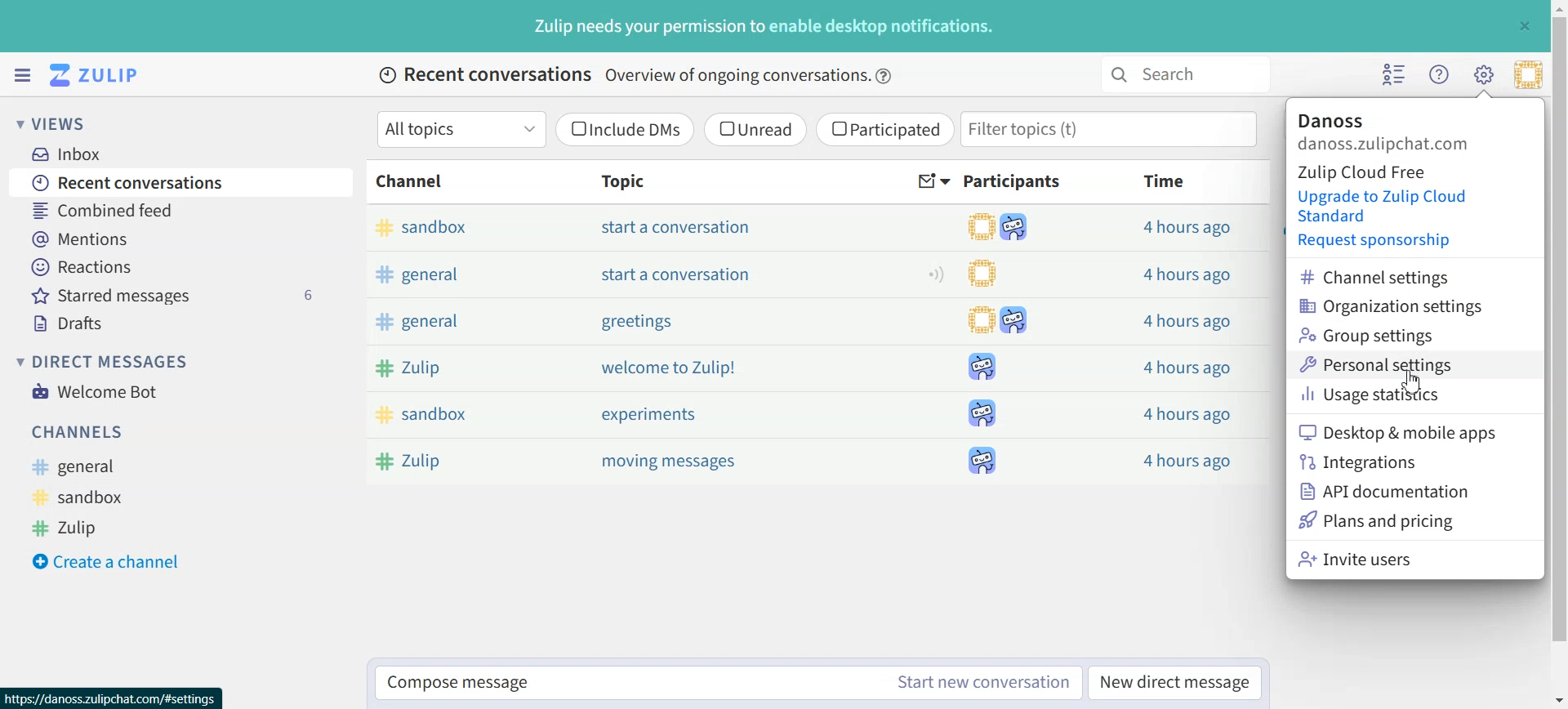  Describe the element at coordinates (1388, 492) in the screenshot. I see `API documentation` at that location.